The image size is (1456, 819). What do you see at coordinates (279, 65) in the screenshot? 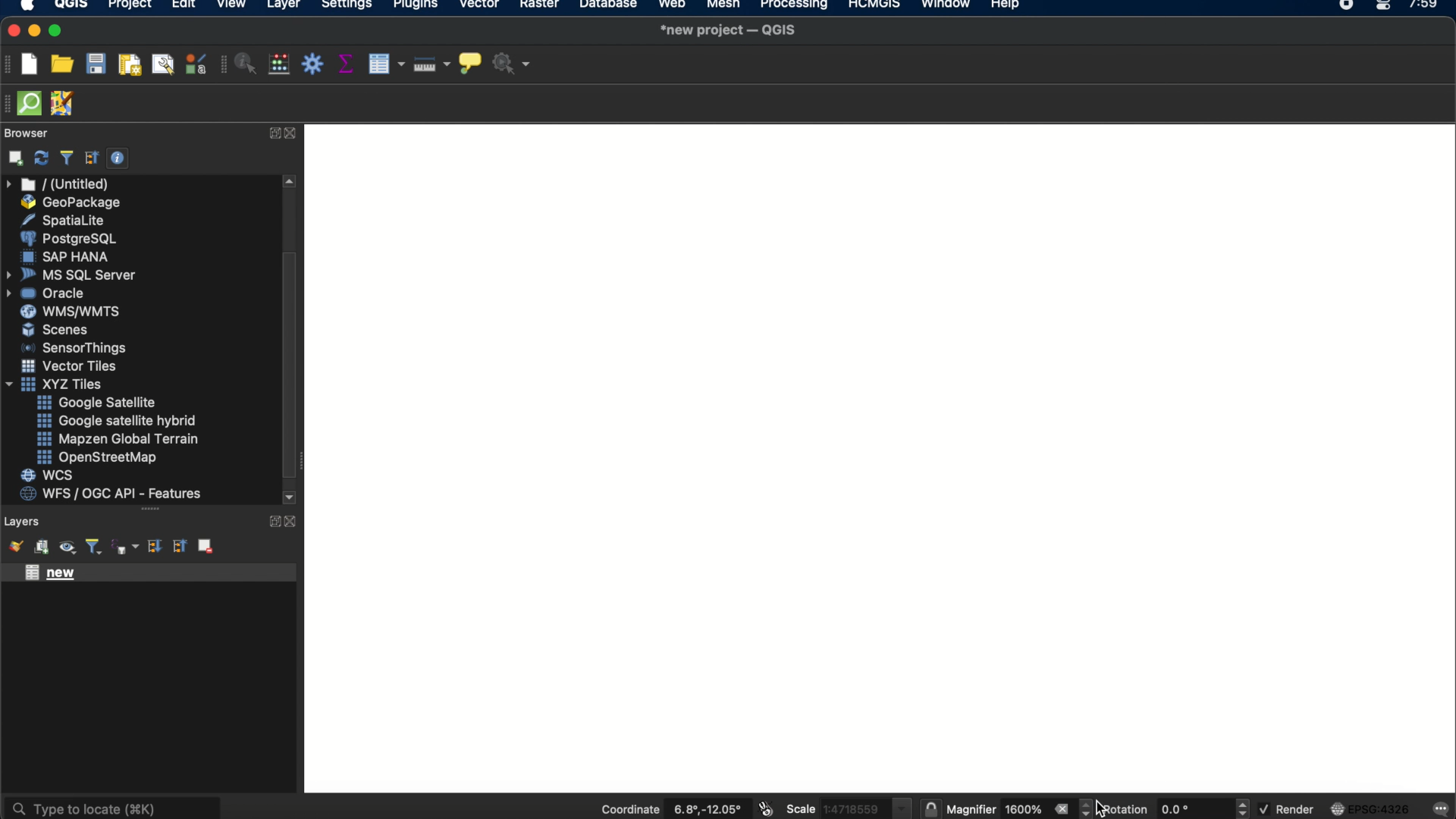
I see `OPEN FIELD CALCULATOR` at bounding box center [279, 65].